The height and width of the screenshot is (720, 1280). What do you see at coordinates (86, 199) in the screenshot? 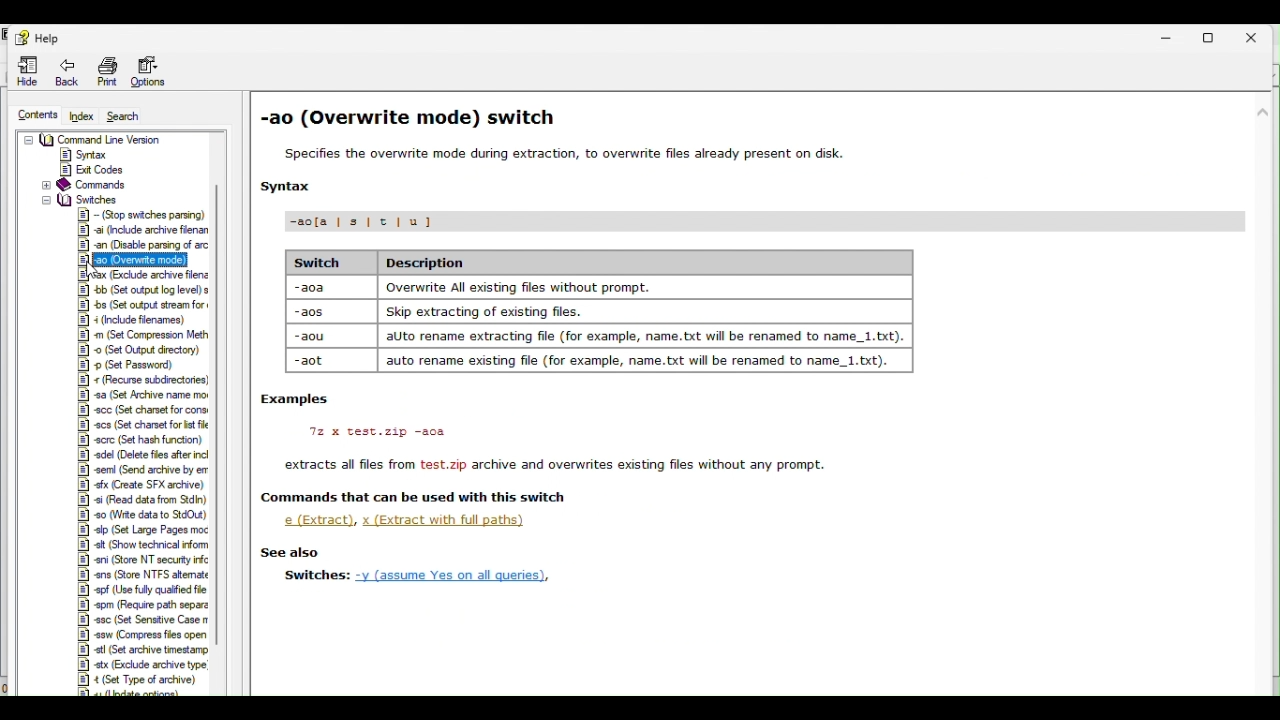
I see `switches` at bounding box center [86, 199].